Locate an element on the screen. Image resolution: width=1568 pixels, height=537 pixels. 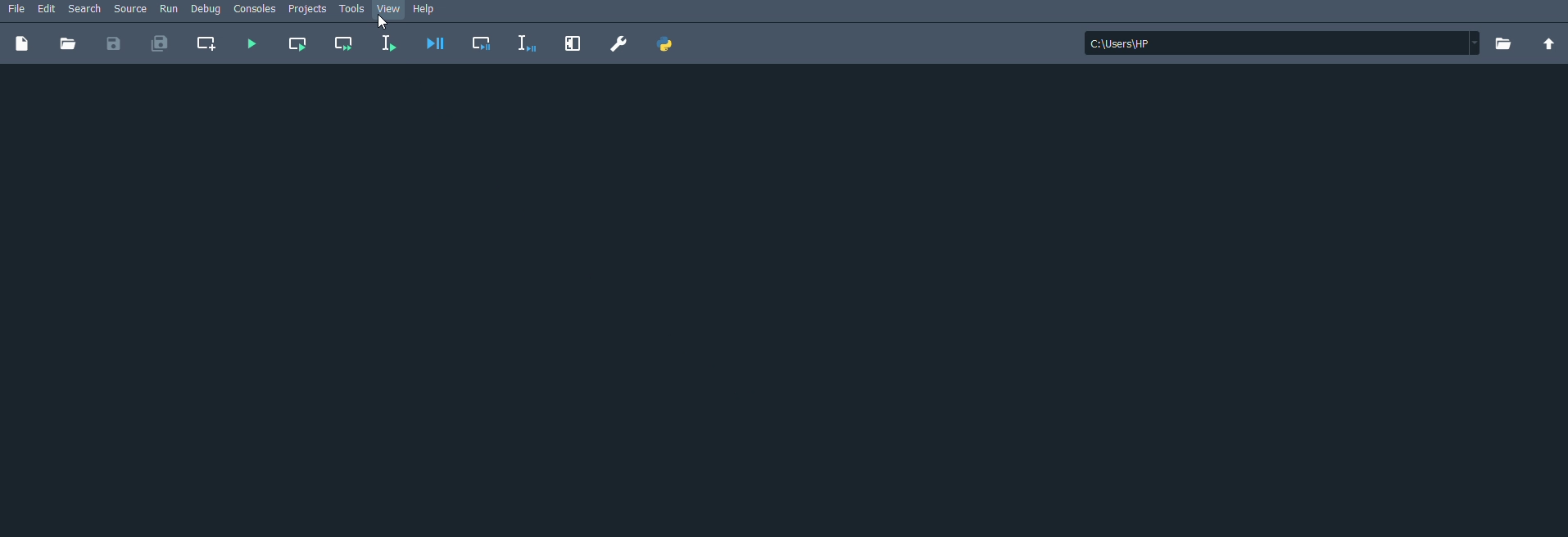
Browse a working directory is located at coordinates (1506, 44).